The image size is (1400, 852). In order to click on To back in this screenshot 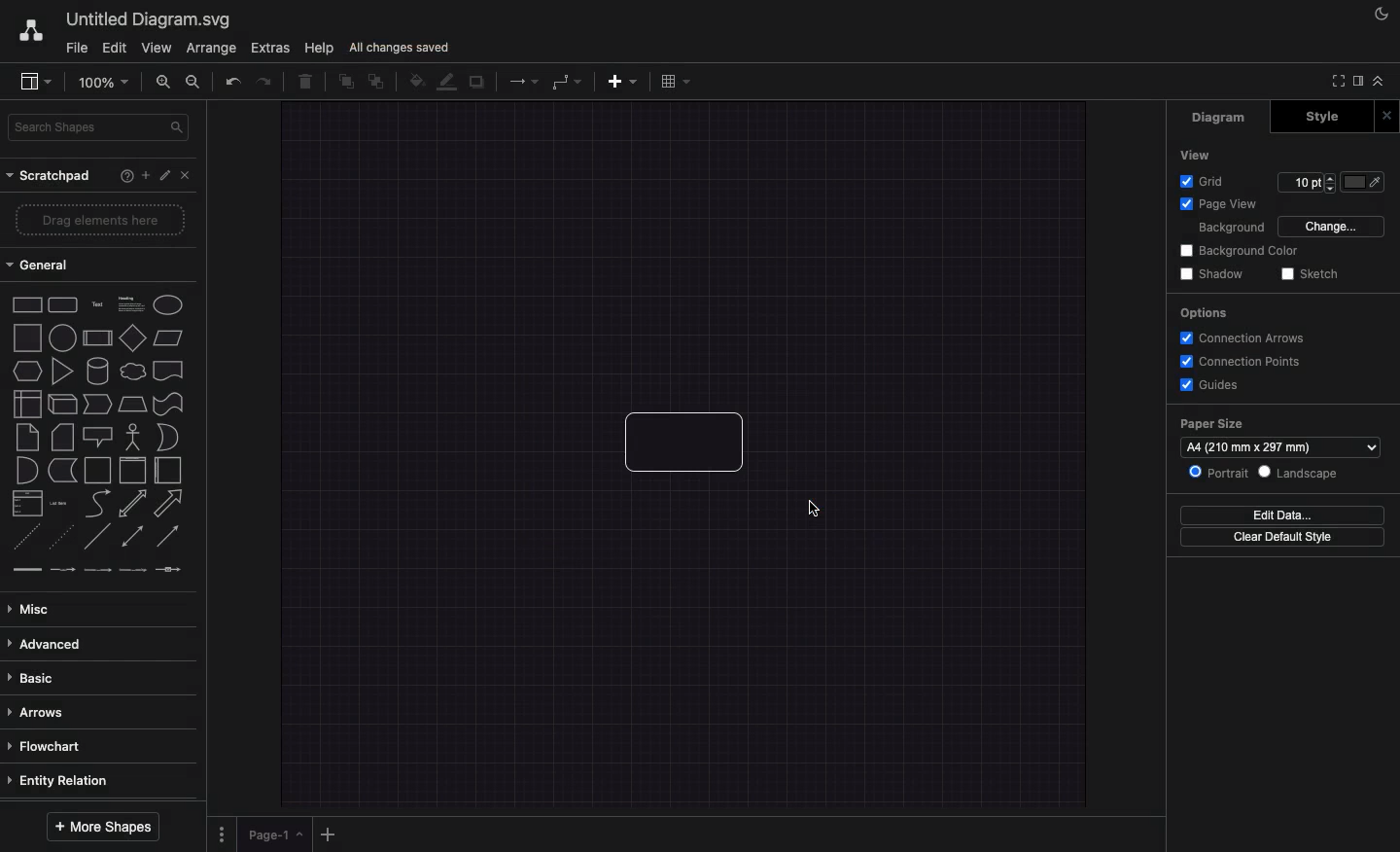, I will do `click(379, 84)`.